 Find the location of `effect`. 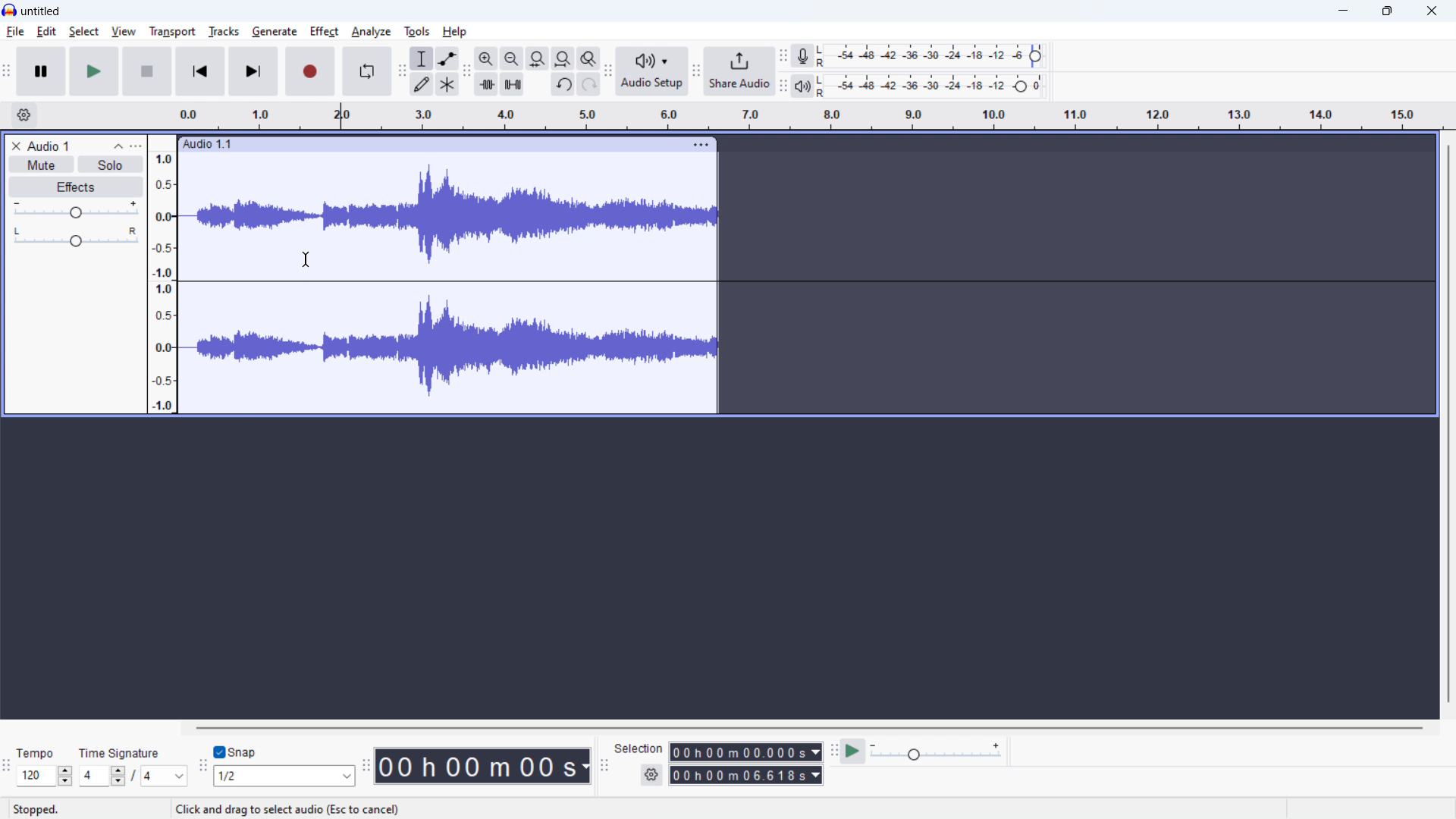

effect is located at coordinates (76, 187).